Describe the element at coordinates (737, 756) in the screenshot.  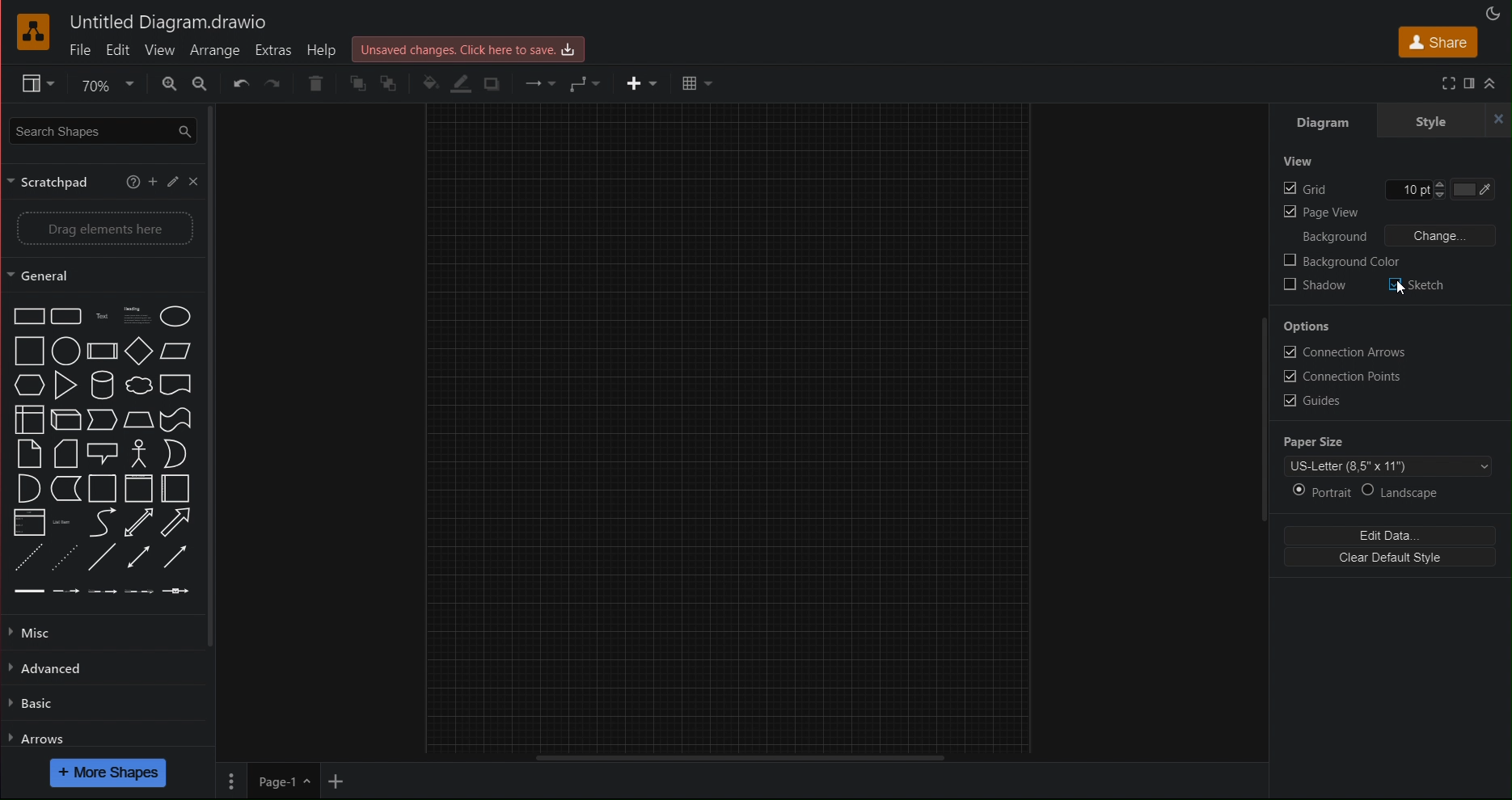
I see `Scrollbar` at that location.